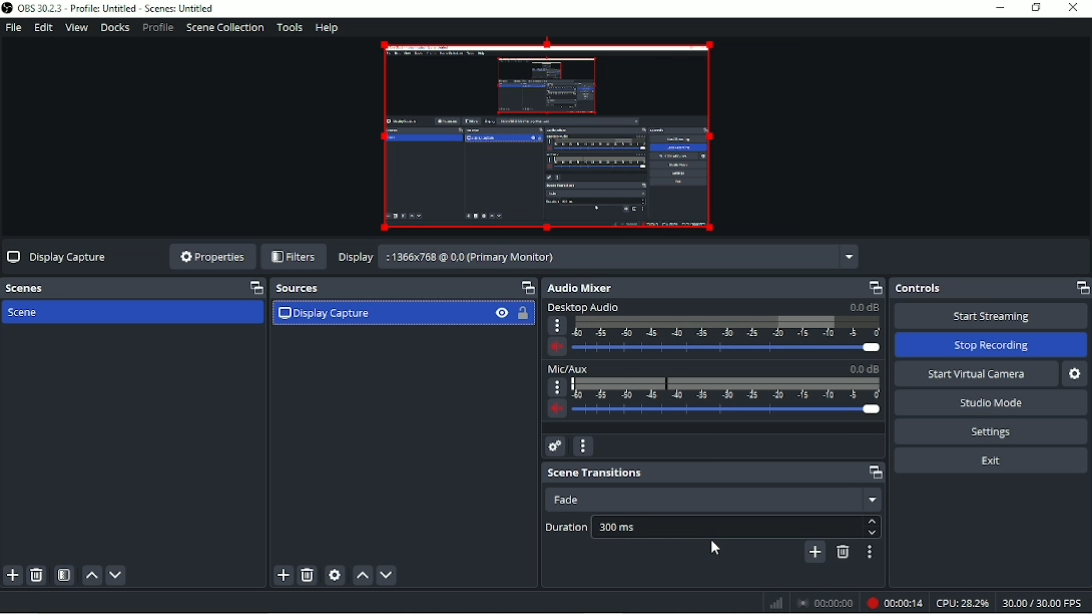  I want to click on Remove selected source (s), so click(310, 575).